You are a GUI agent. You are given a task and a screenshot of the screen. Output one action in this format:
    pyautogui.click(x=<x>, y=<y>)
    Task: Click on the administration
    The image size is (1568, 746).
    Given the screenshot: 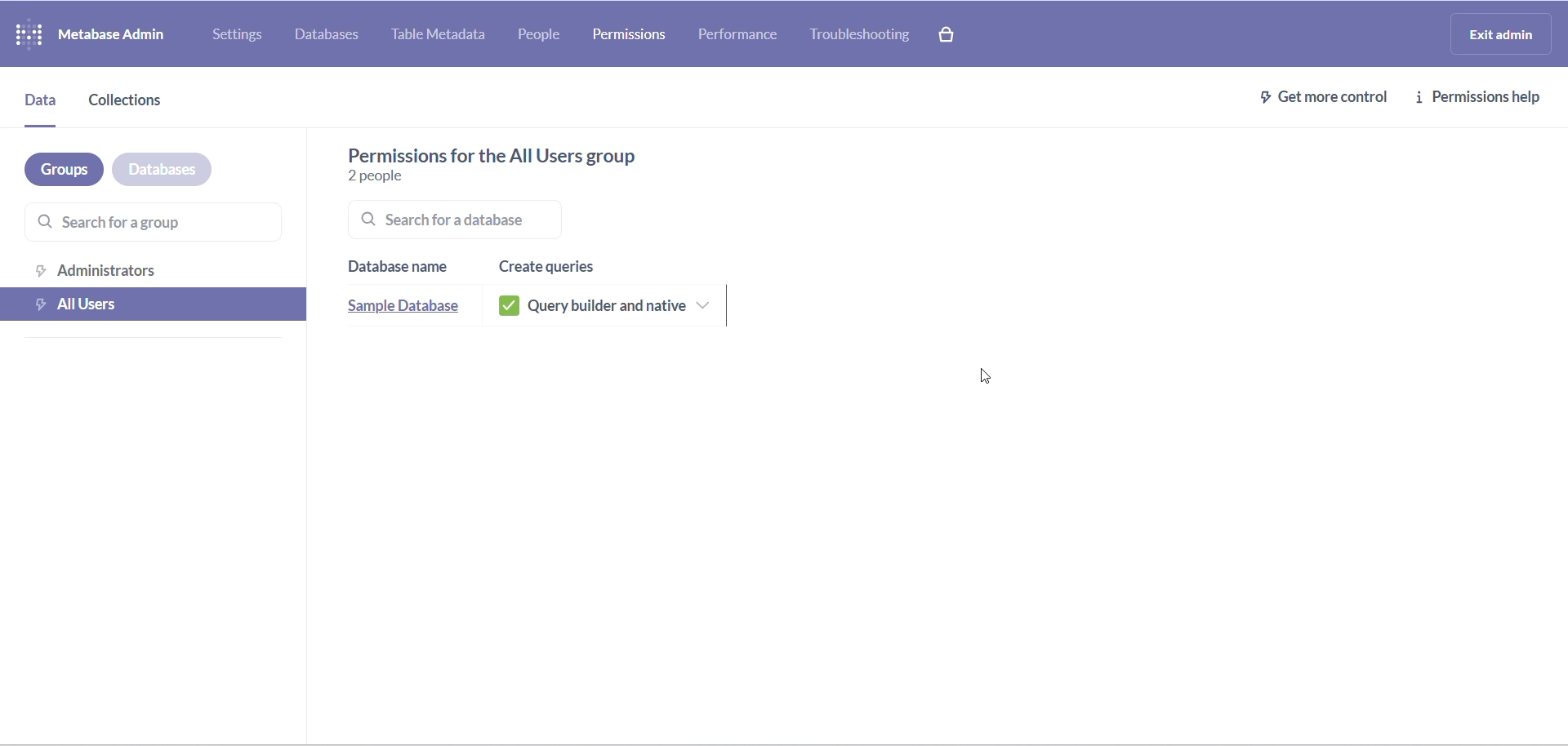 What is the action you would take?
    pyautogui.click(x=157, y=268)
    